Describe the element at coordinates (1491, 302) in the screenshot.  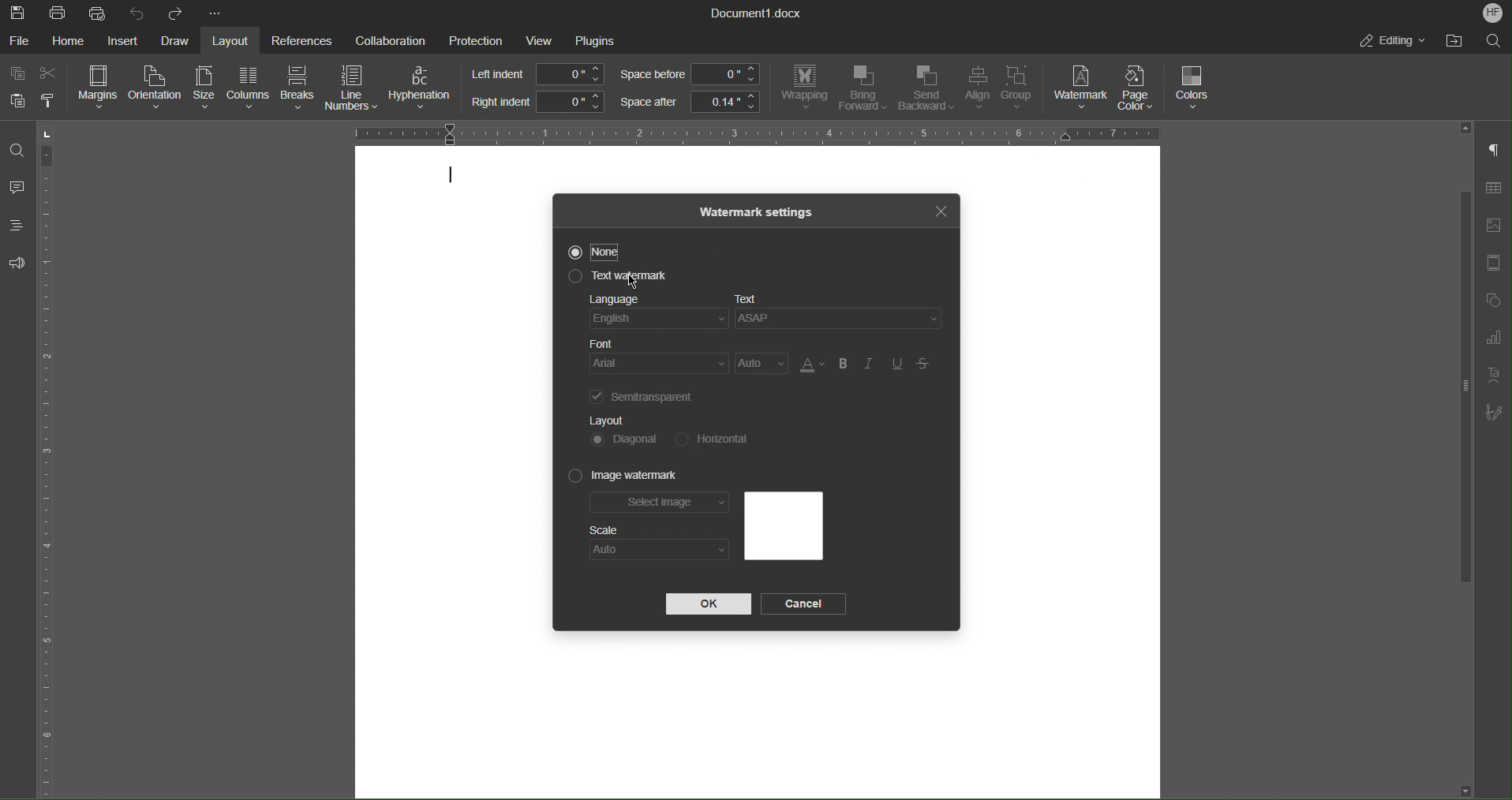
I see `Shape Menu` at that location.